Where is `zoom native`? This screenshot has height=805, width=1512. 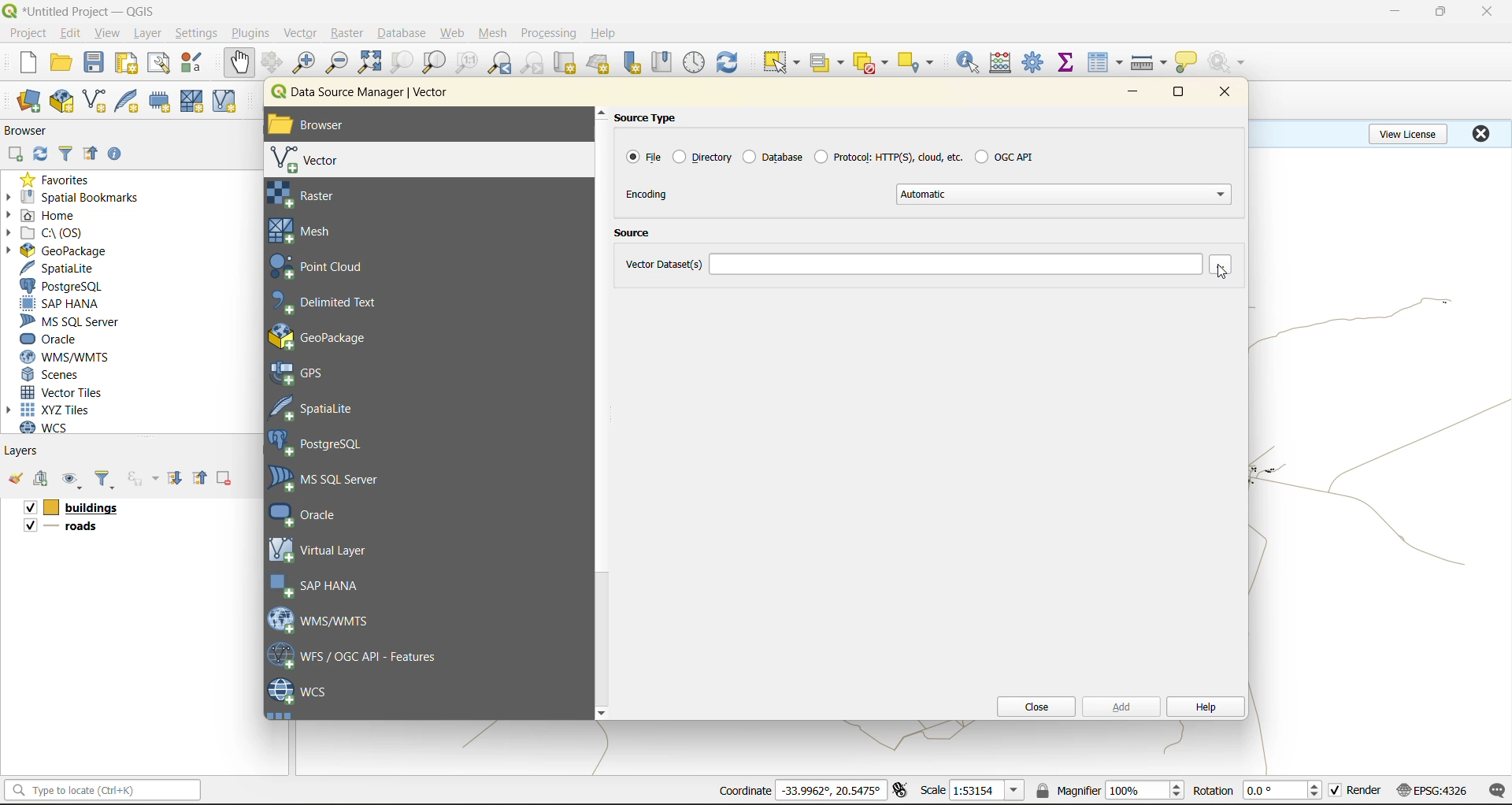
zoom native is located at coordinates (467, 63).